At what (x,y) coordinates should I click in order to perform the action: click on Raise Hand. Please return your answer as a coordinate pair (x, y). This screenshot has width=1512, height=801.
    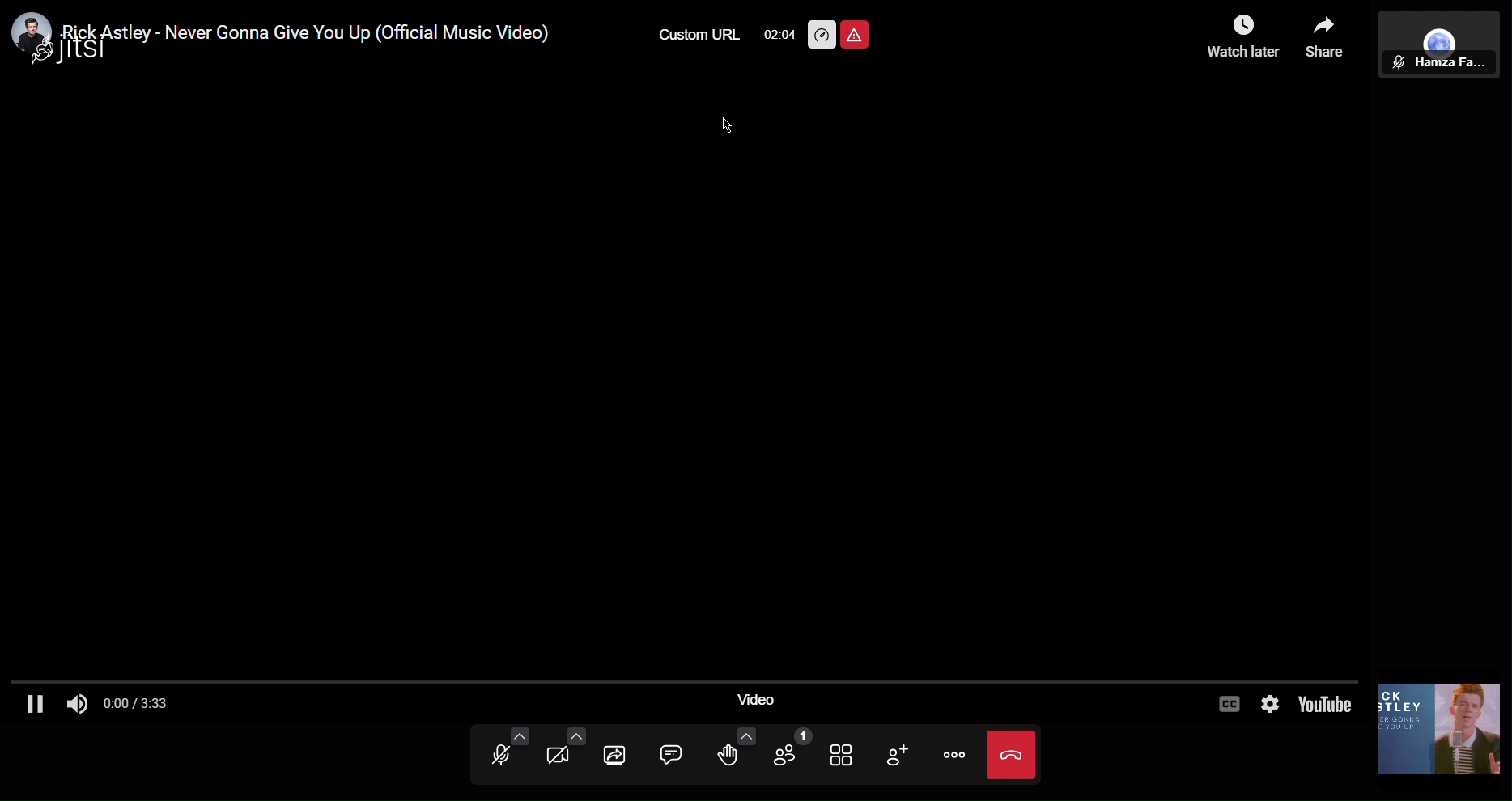
    Looking at the image, I should click on (733, 757).